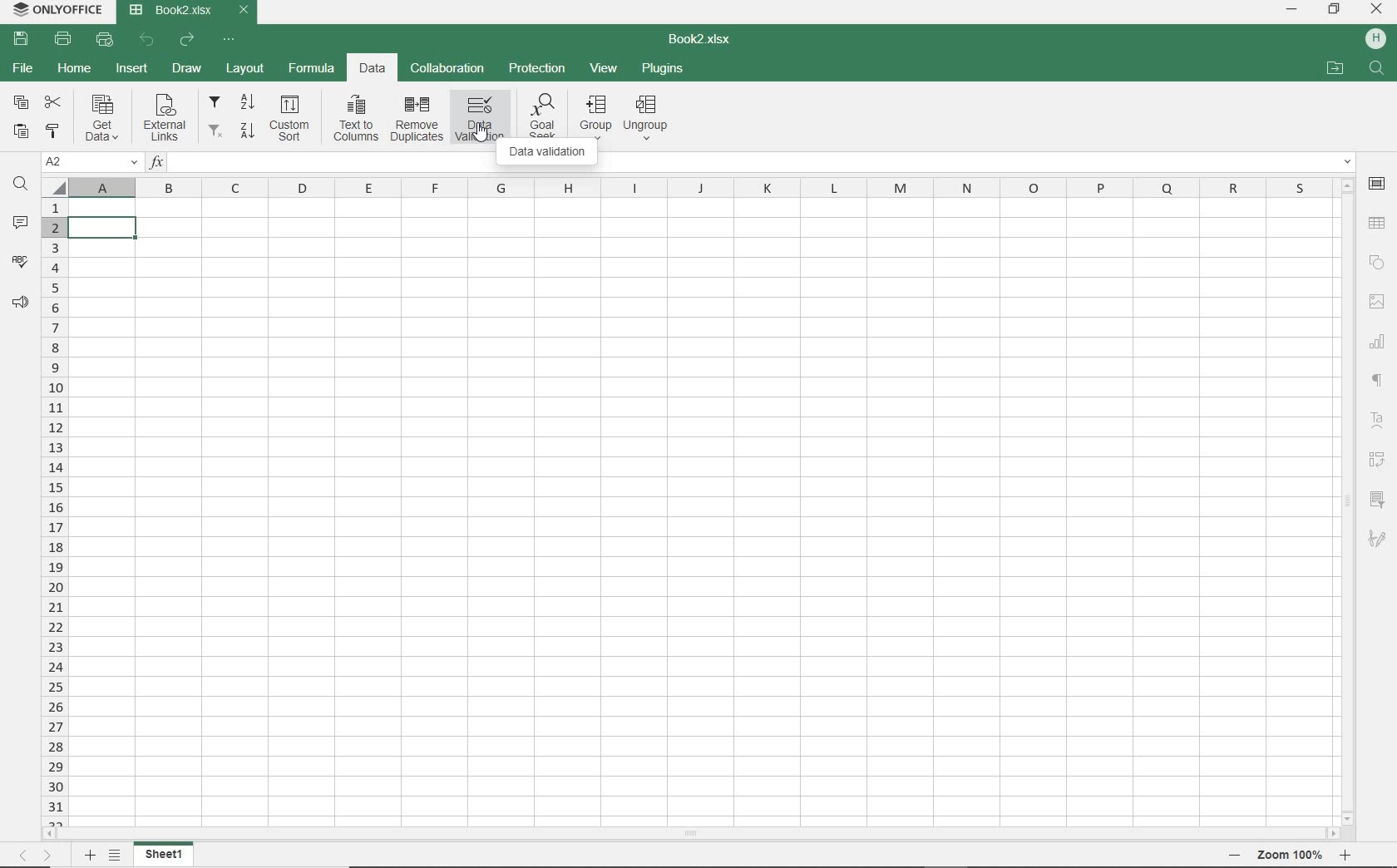  I want to click on external links, so click(167, 121).